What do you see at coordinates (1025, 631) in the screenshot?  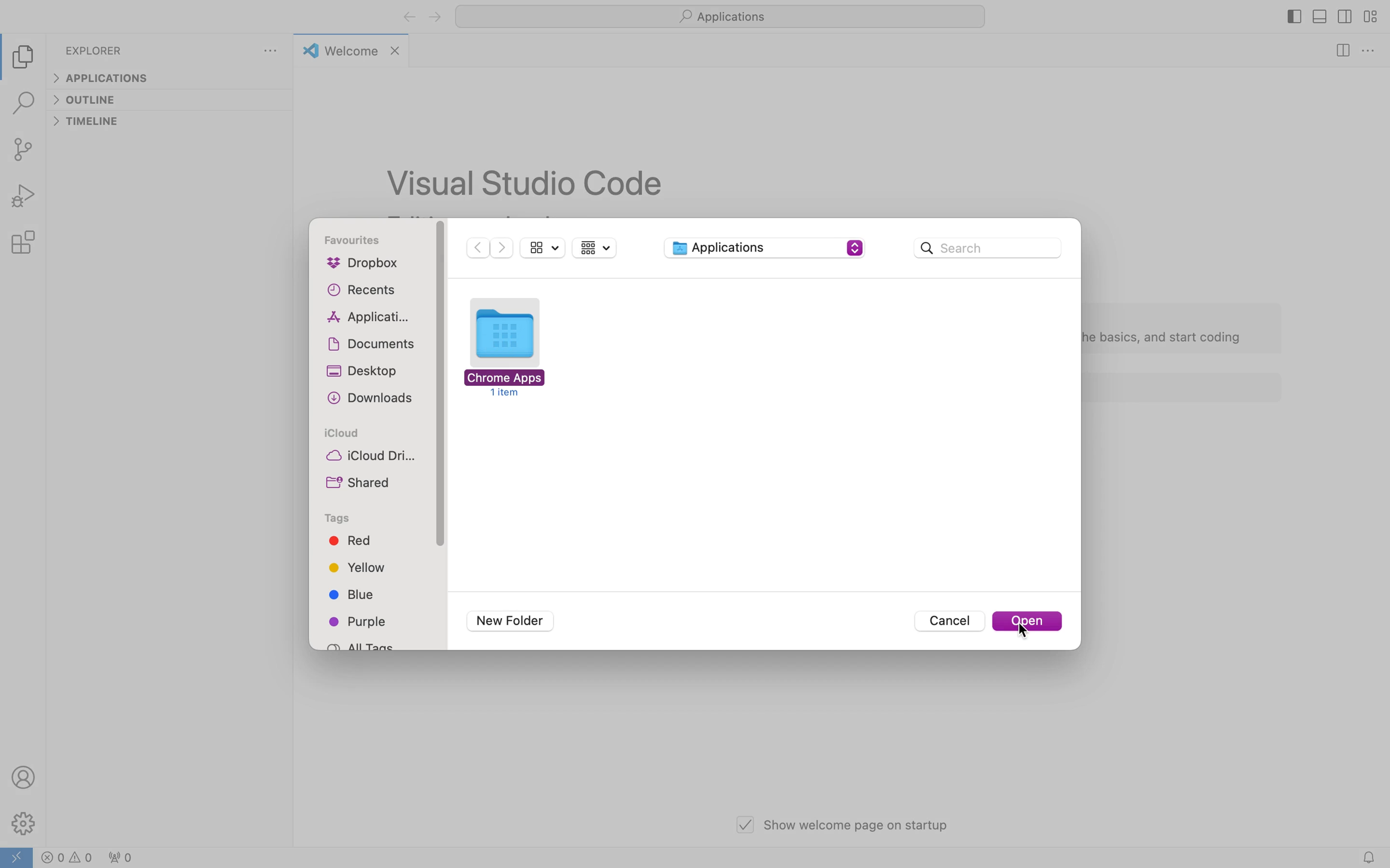 I see `cursor` at bounding box center [1025, 631].